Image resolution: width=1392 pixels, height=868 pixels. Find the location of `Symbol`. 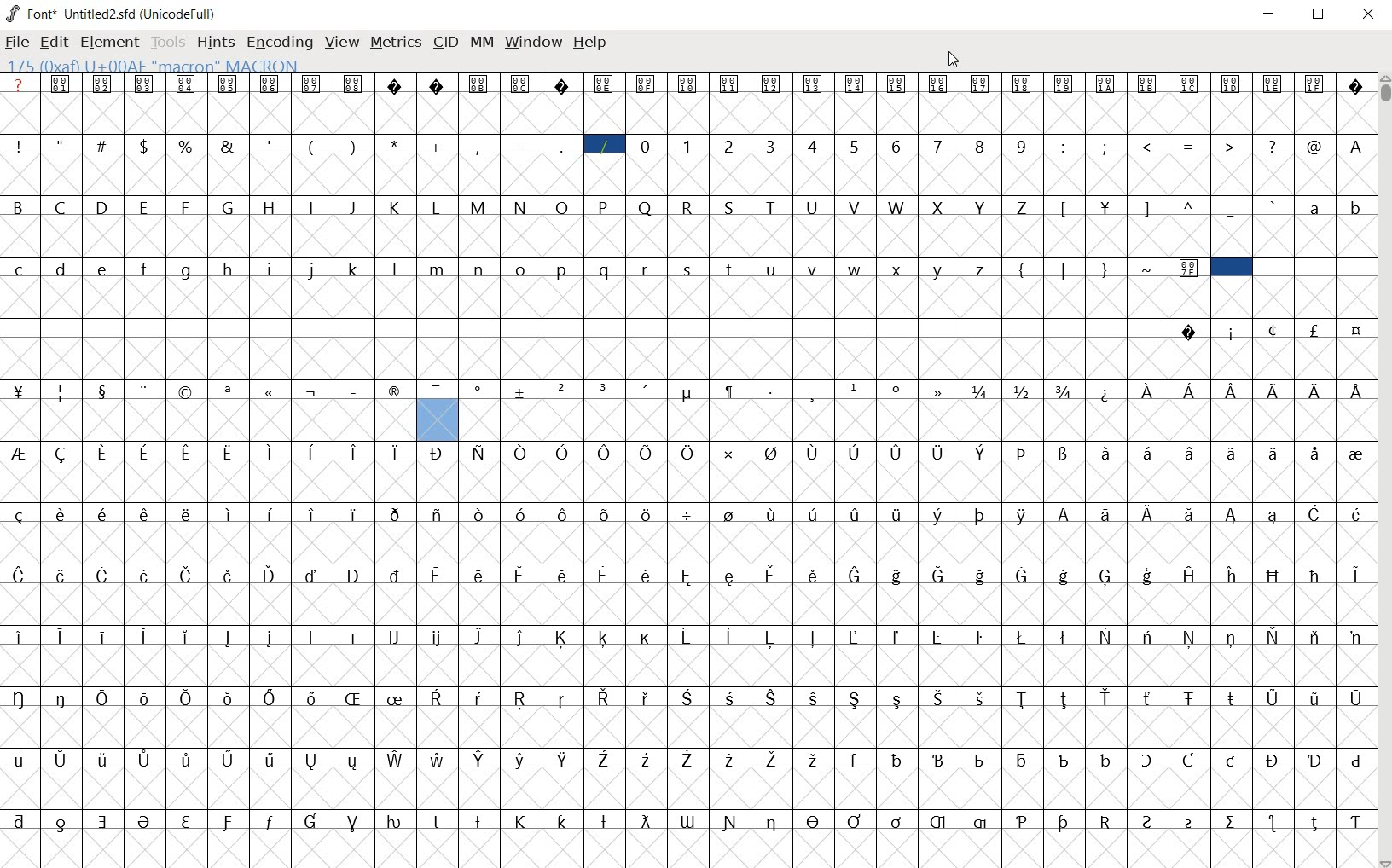

Symbol is located at coordinates (1147, 760).